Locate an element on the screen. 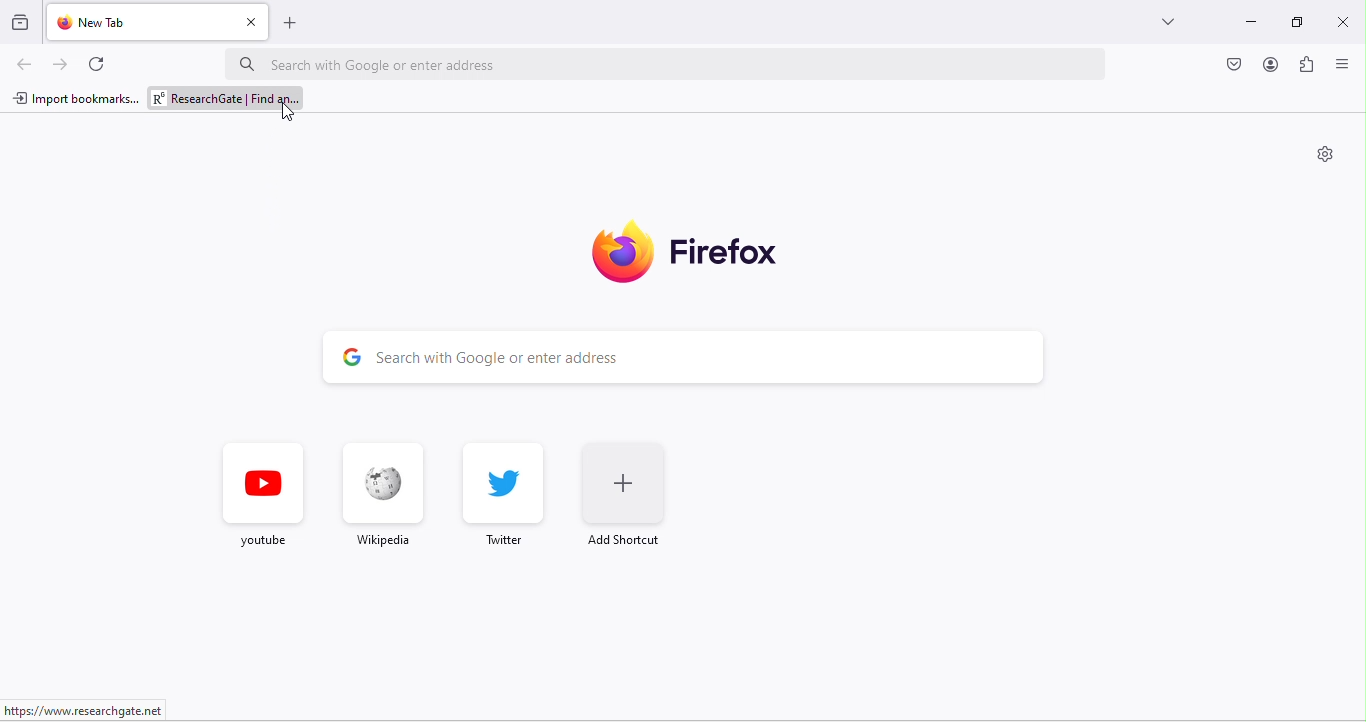  import bookmarks is located at coordinates (75, 96).